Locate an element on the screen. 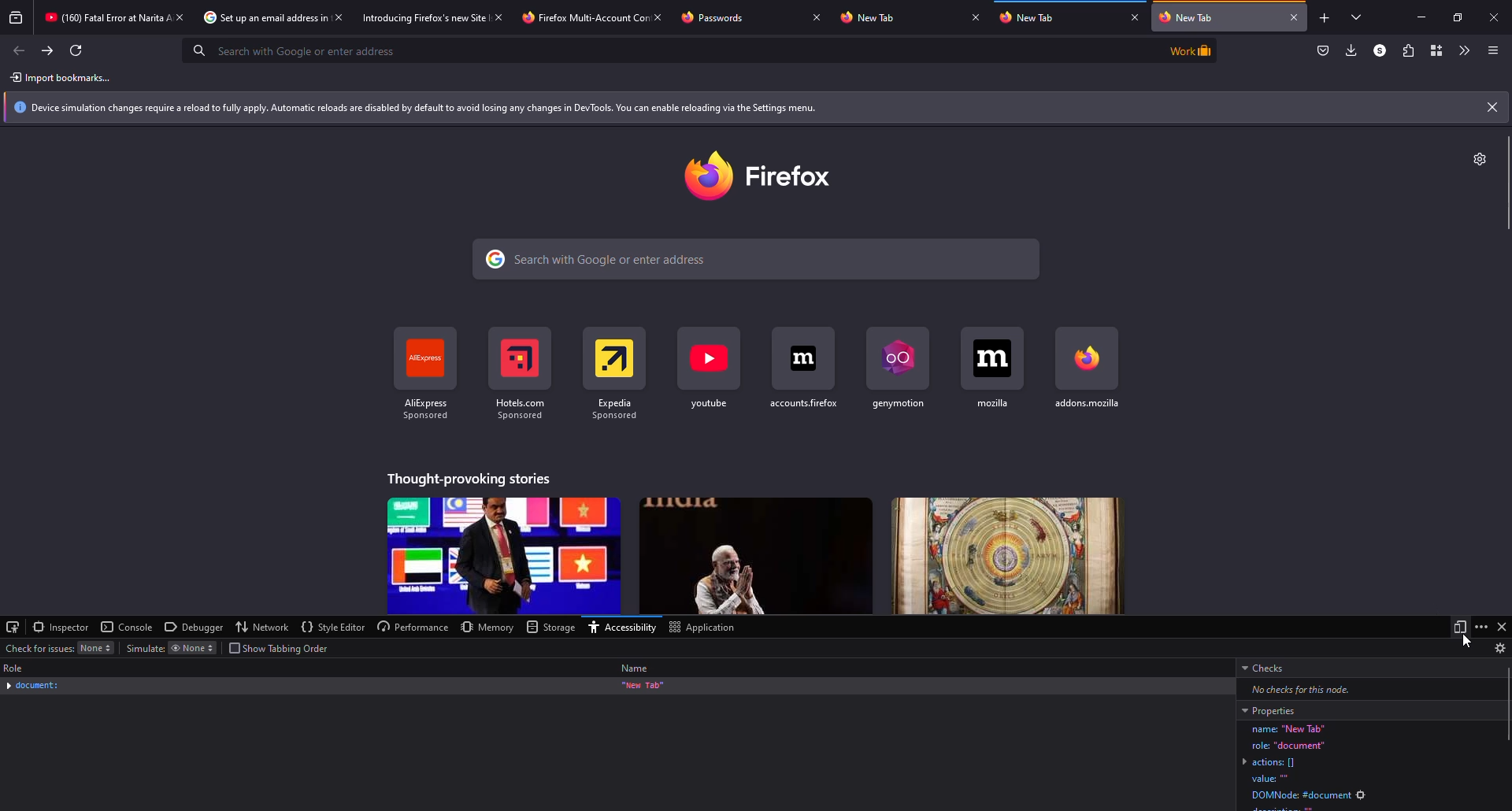  terminal is located at coordinates (13, 626).